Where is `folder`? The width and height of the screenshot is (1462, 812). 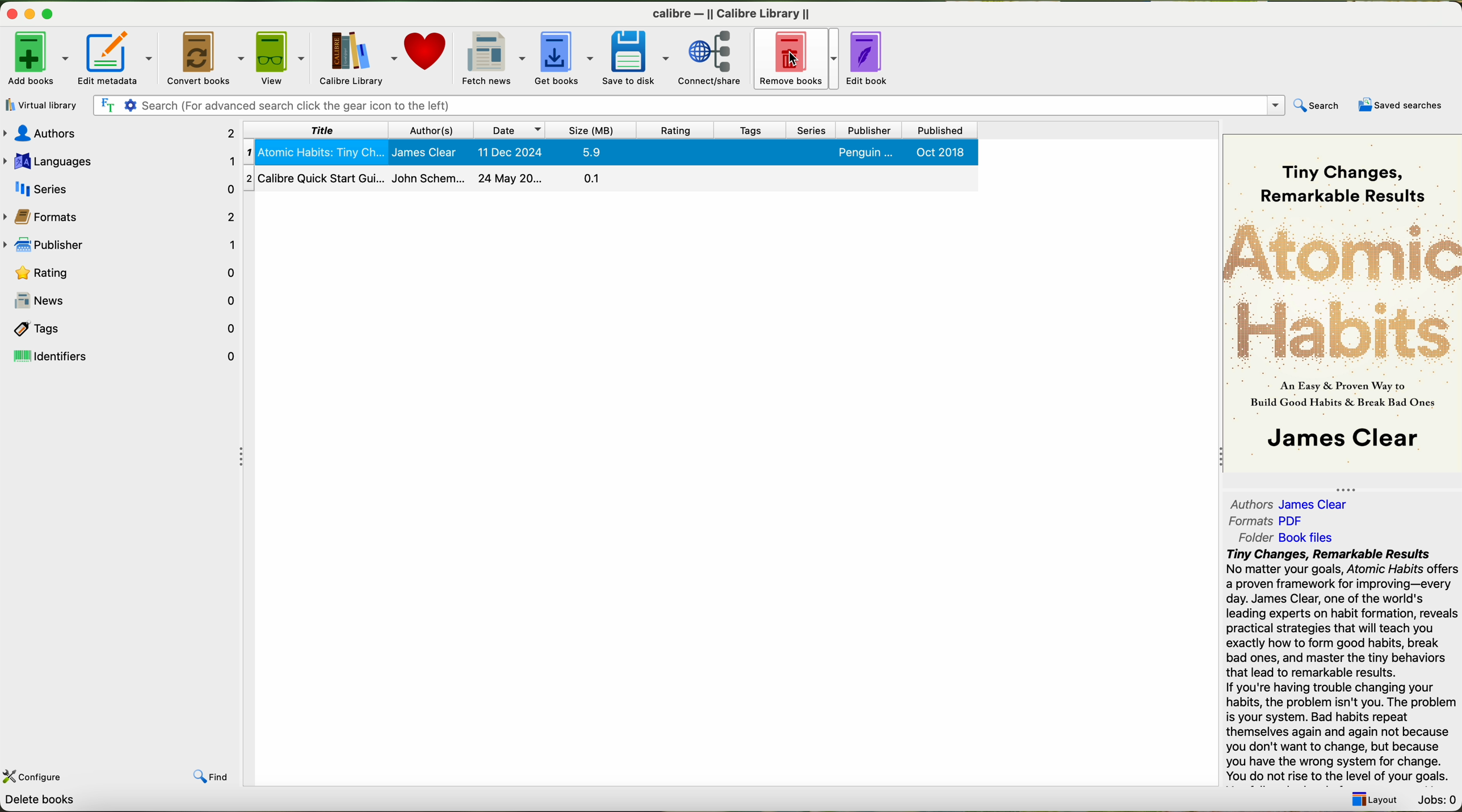 folder is located at coordinates (1294, 537).